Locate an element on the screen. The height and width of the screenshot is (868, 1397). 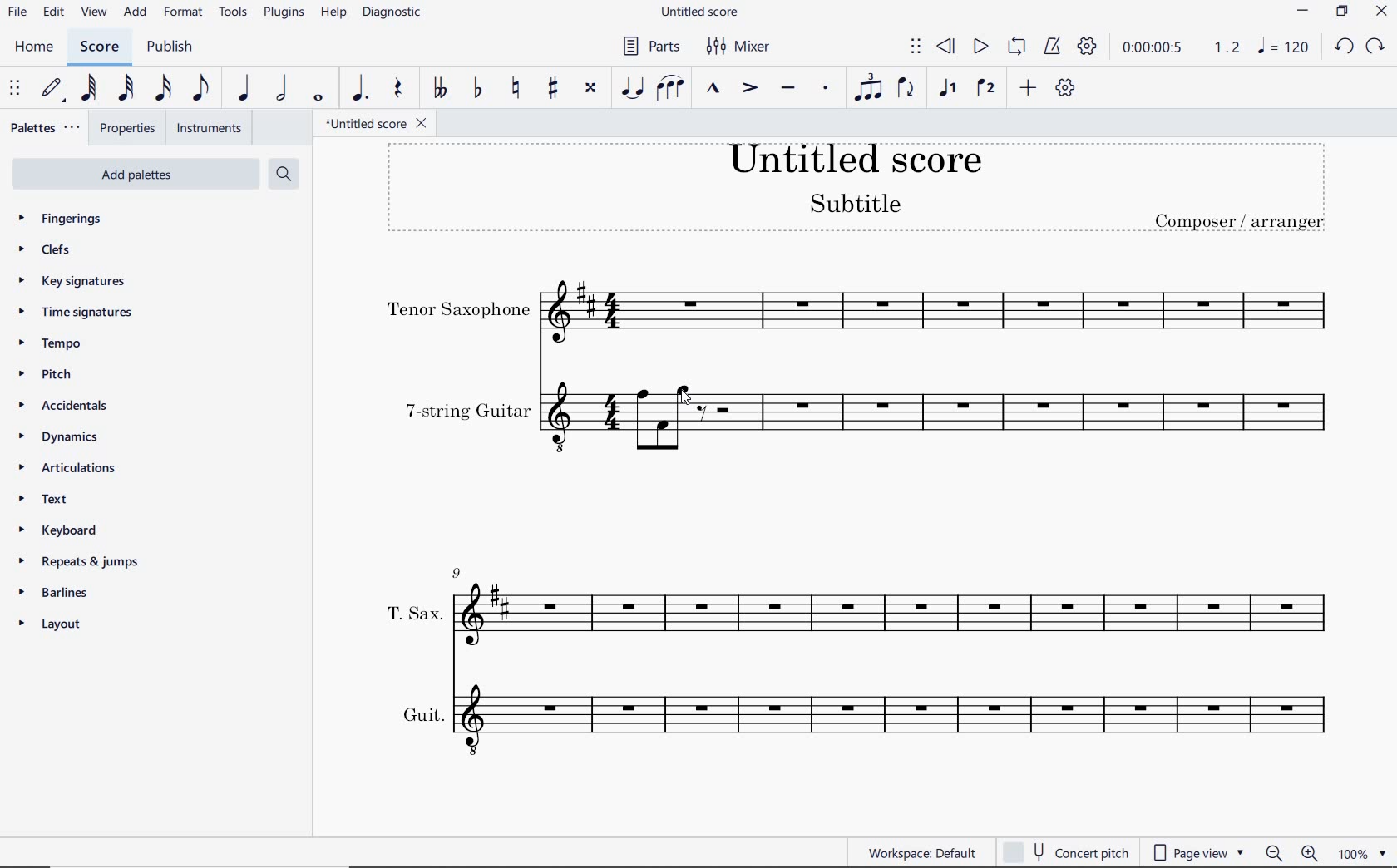
WHOLE NOTE is located at coordinates (317, 99).